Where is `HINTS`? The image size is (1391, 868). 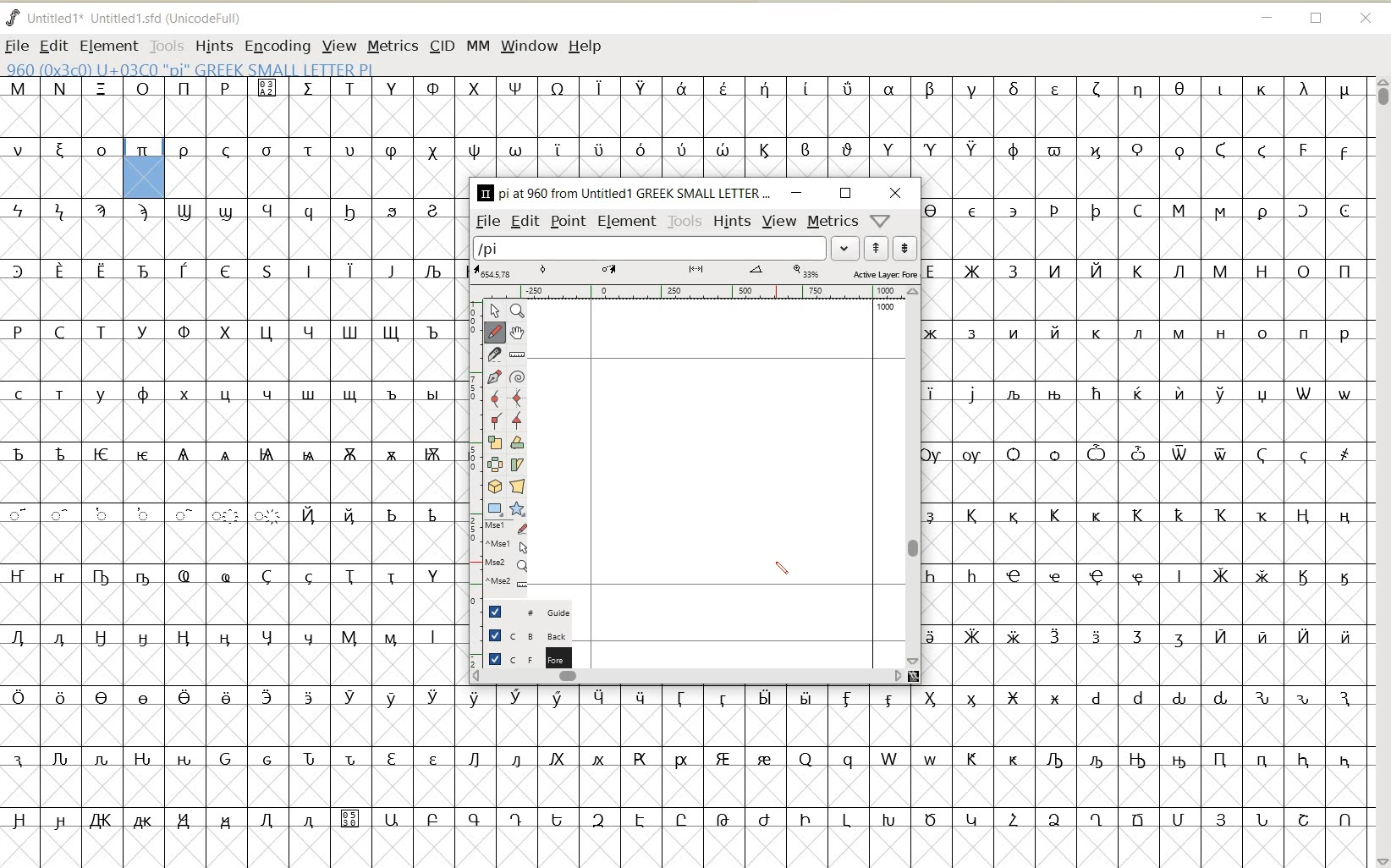
HINTS is located at coordinates (732, 222).